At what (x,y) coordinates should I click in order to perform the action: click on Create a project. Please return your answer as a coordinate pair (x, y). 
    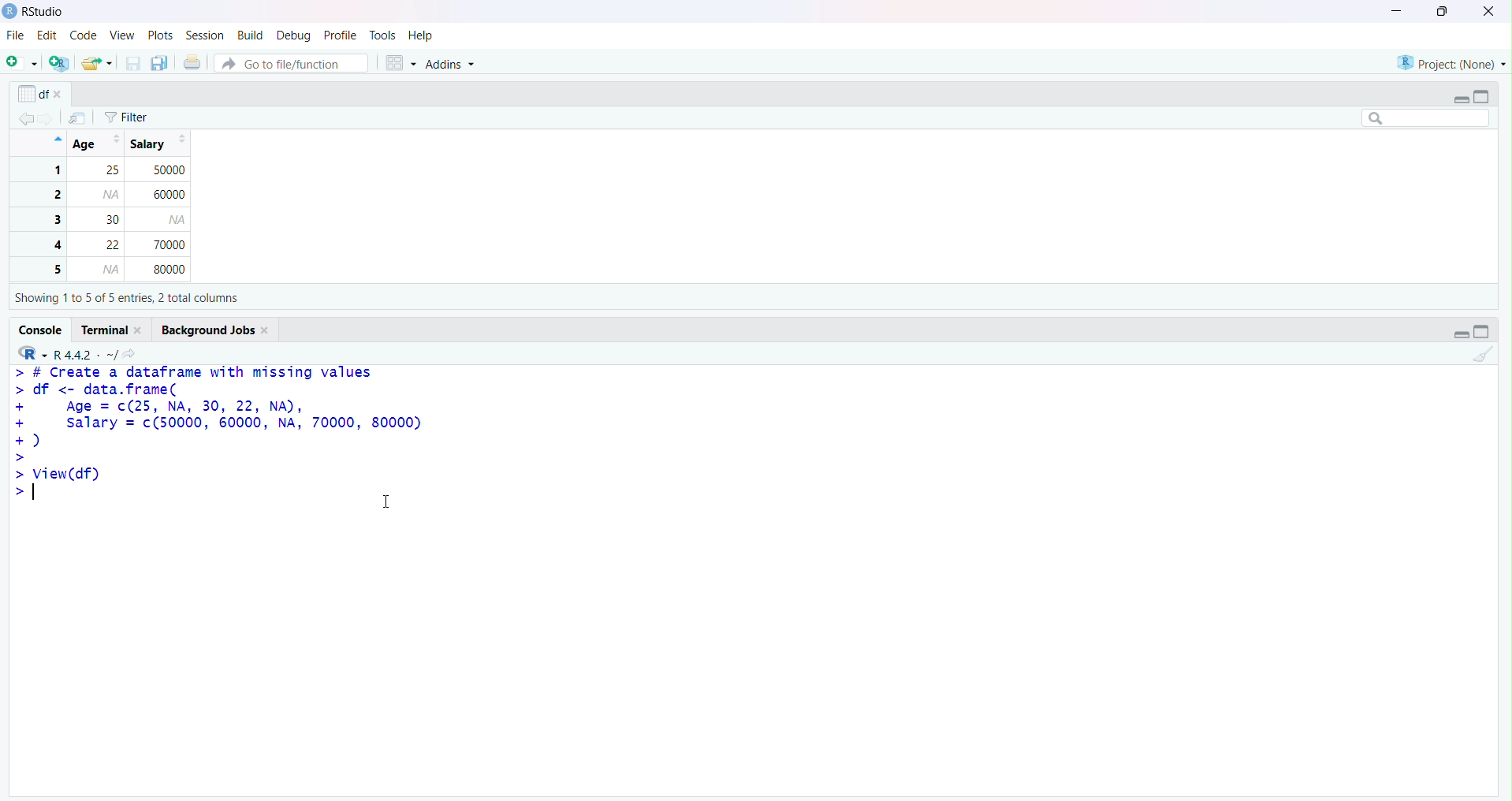
    Looking at the image, I should click on (60, 61).